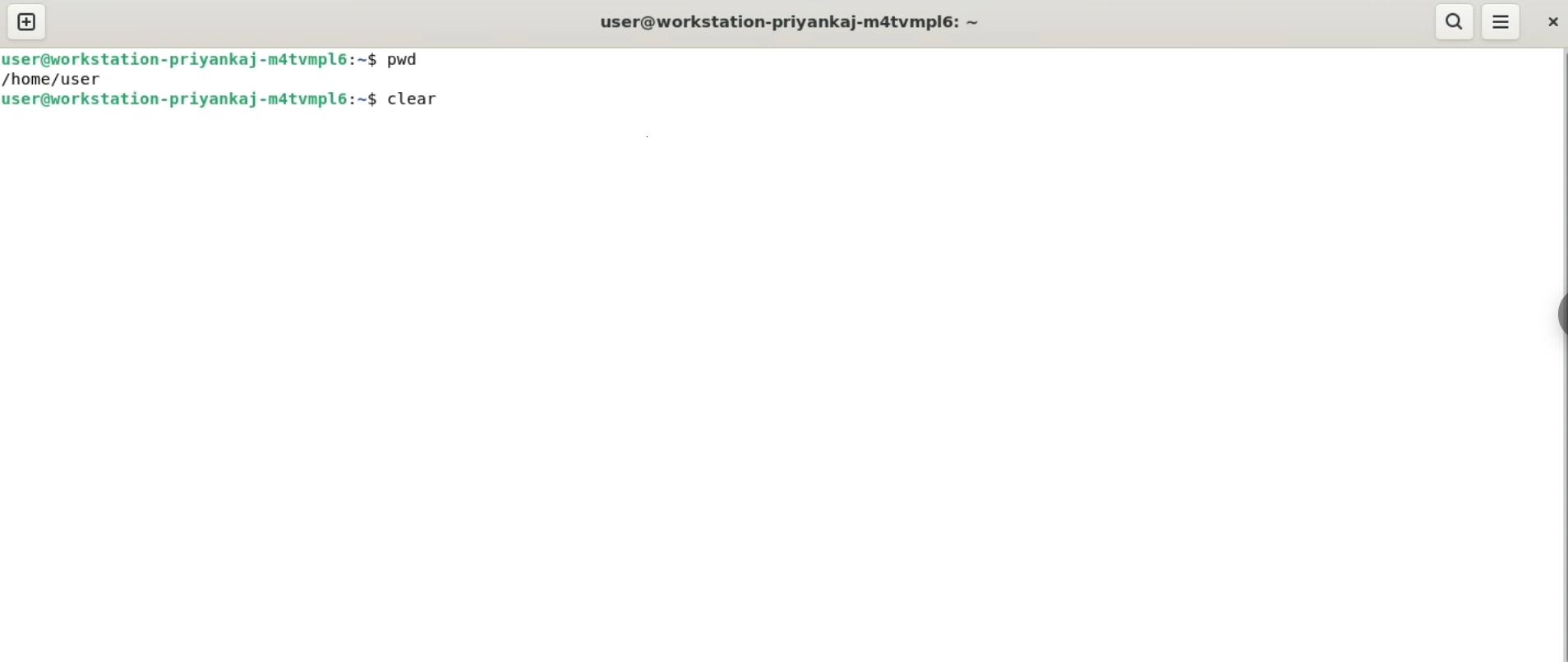 This screenshot has height=662, width=1568. Describe the element at coordinates (413, 98) in the screenshot. I see `clear` at that location.